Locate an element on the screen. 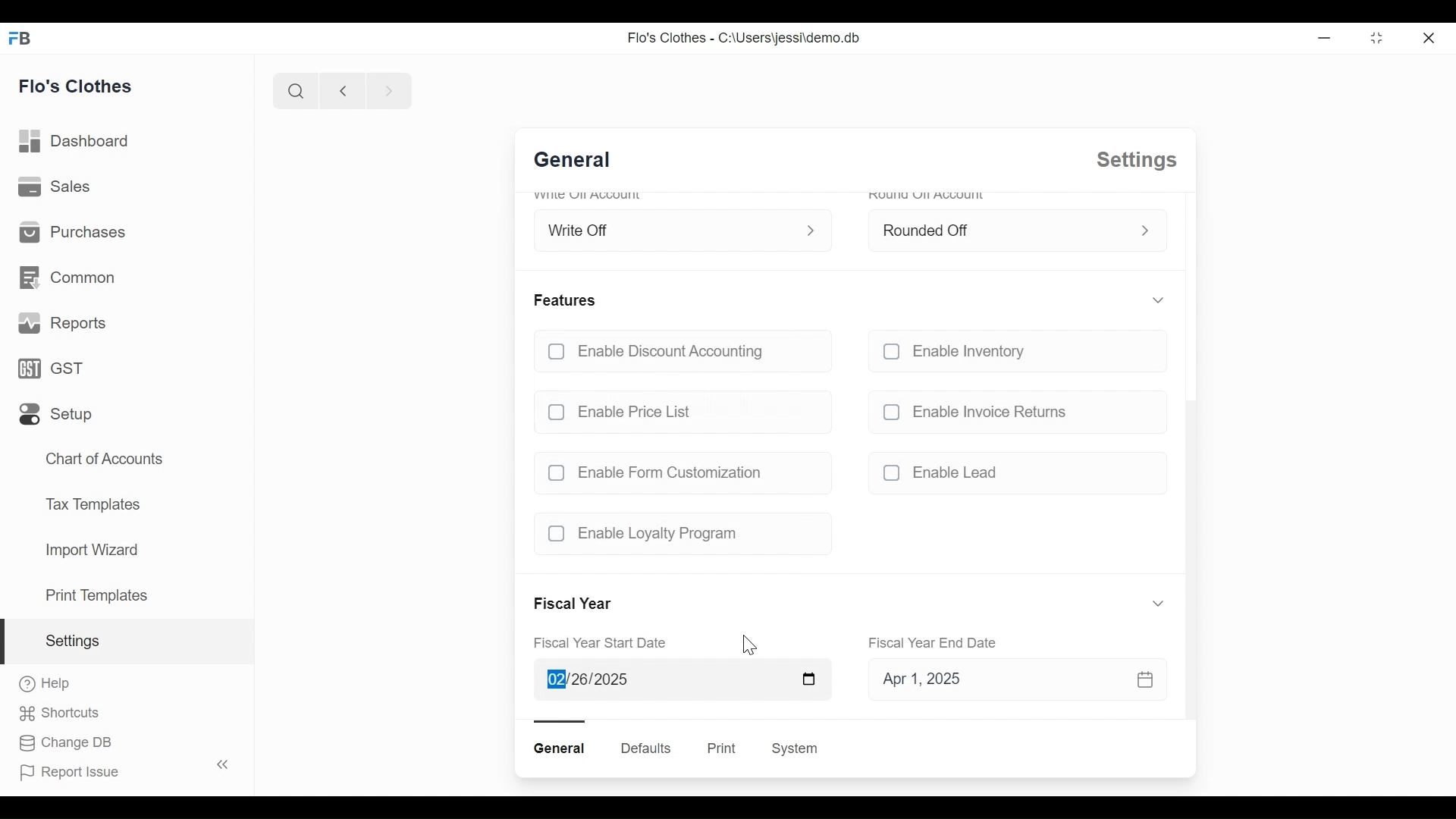 This screenshot has width=1456, height=819. Setup is located at coordinates (58, 414).